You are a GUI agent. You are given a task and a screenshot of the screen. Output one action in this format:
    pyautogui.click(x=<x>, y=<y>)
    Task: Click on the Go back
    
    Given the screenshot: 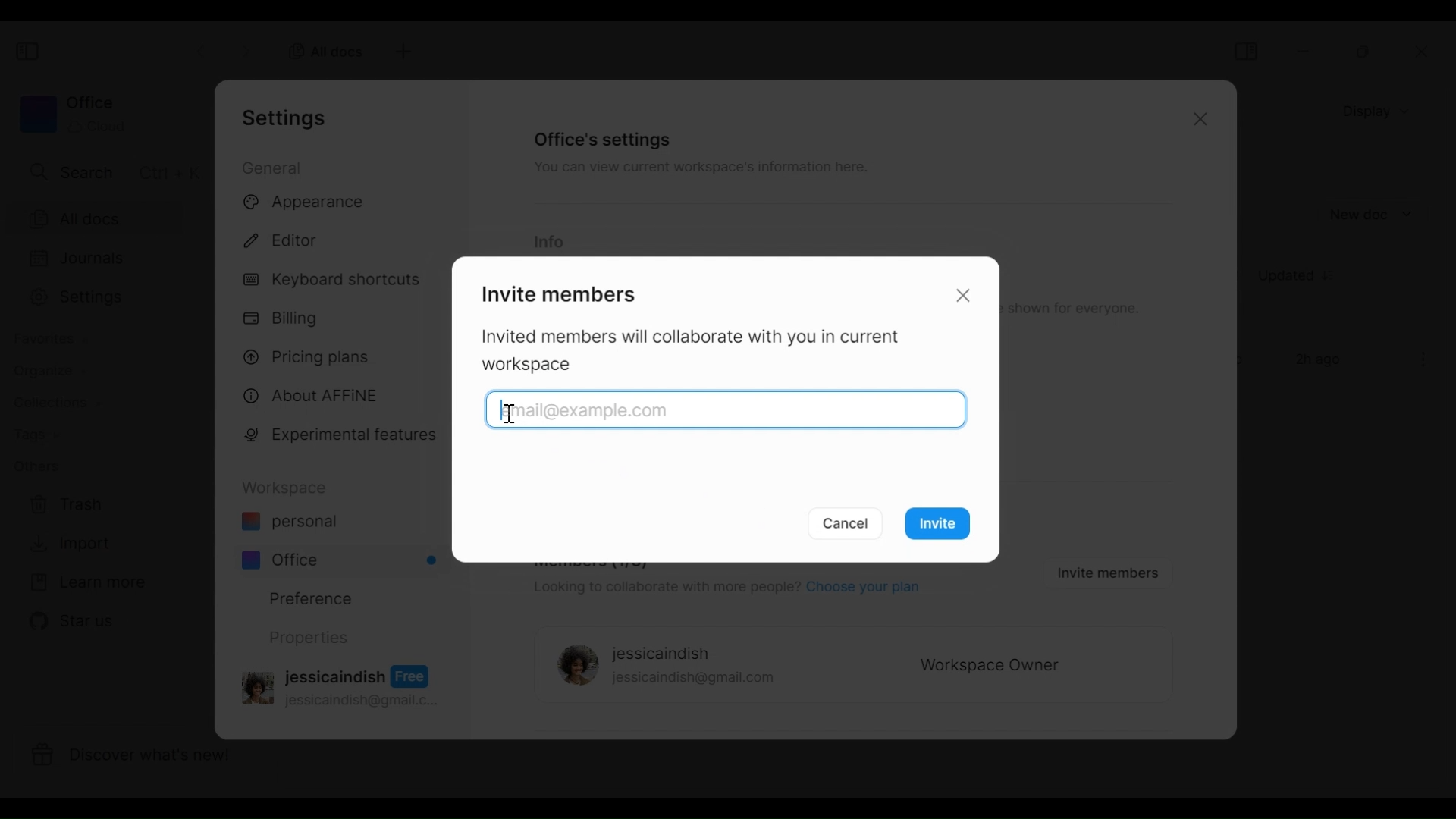 What is the action you would take?
    pyautogui.click(x=203, y=49)
    